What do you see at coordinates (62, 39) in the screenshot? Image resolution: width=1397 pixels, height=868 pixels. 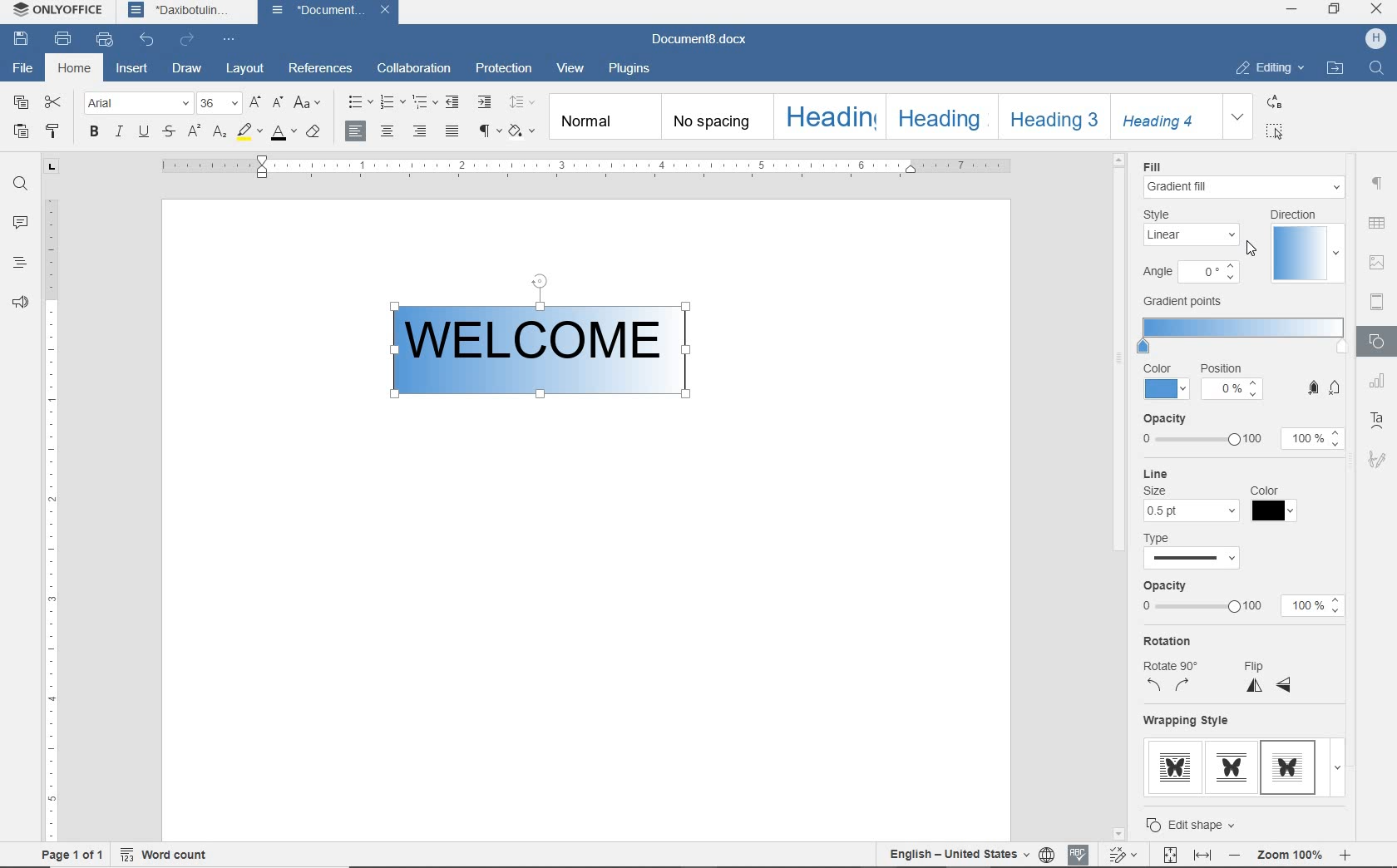 I see `PRINT` at bounding box center [62, 39].